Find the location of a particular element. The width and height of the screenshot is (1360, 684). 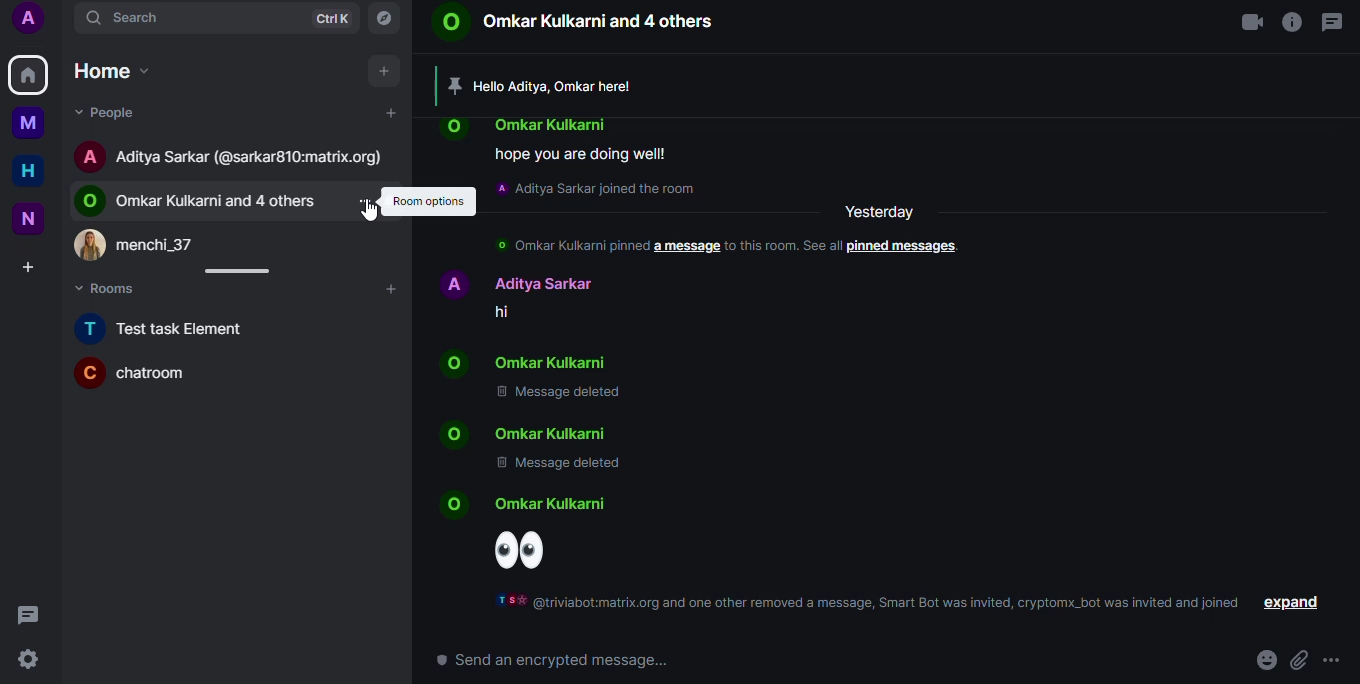

contact is located at coordinates (233, 156).